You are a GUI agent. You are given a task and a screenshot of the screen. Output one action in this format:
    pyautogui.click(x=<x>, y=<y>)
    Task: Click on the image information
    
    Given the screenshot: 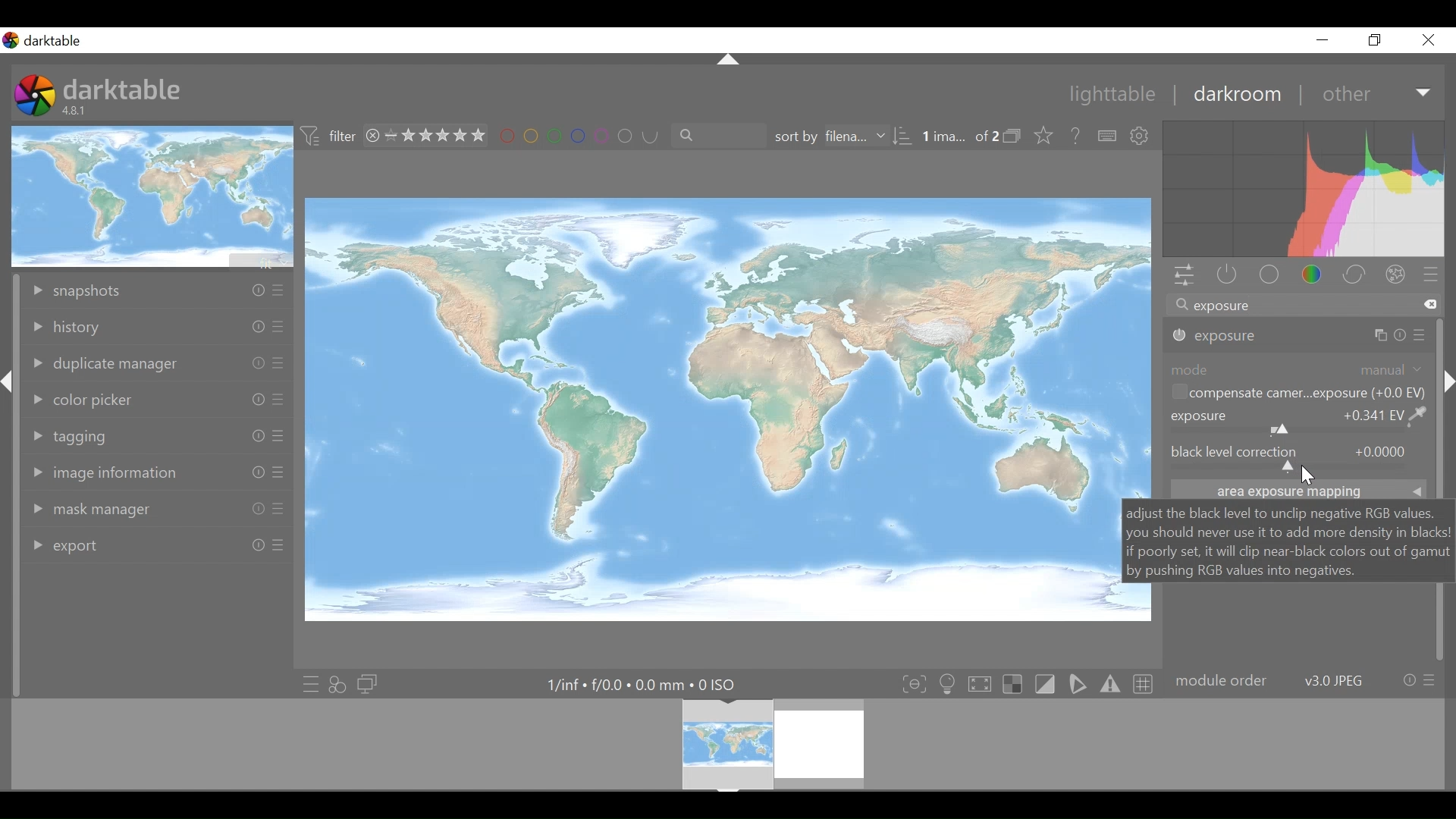 What is the action you would take?
    pyautogui.click(x=156, y=475)
    